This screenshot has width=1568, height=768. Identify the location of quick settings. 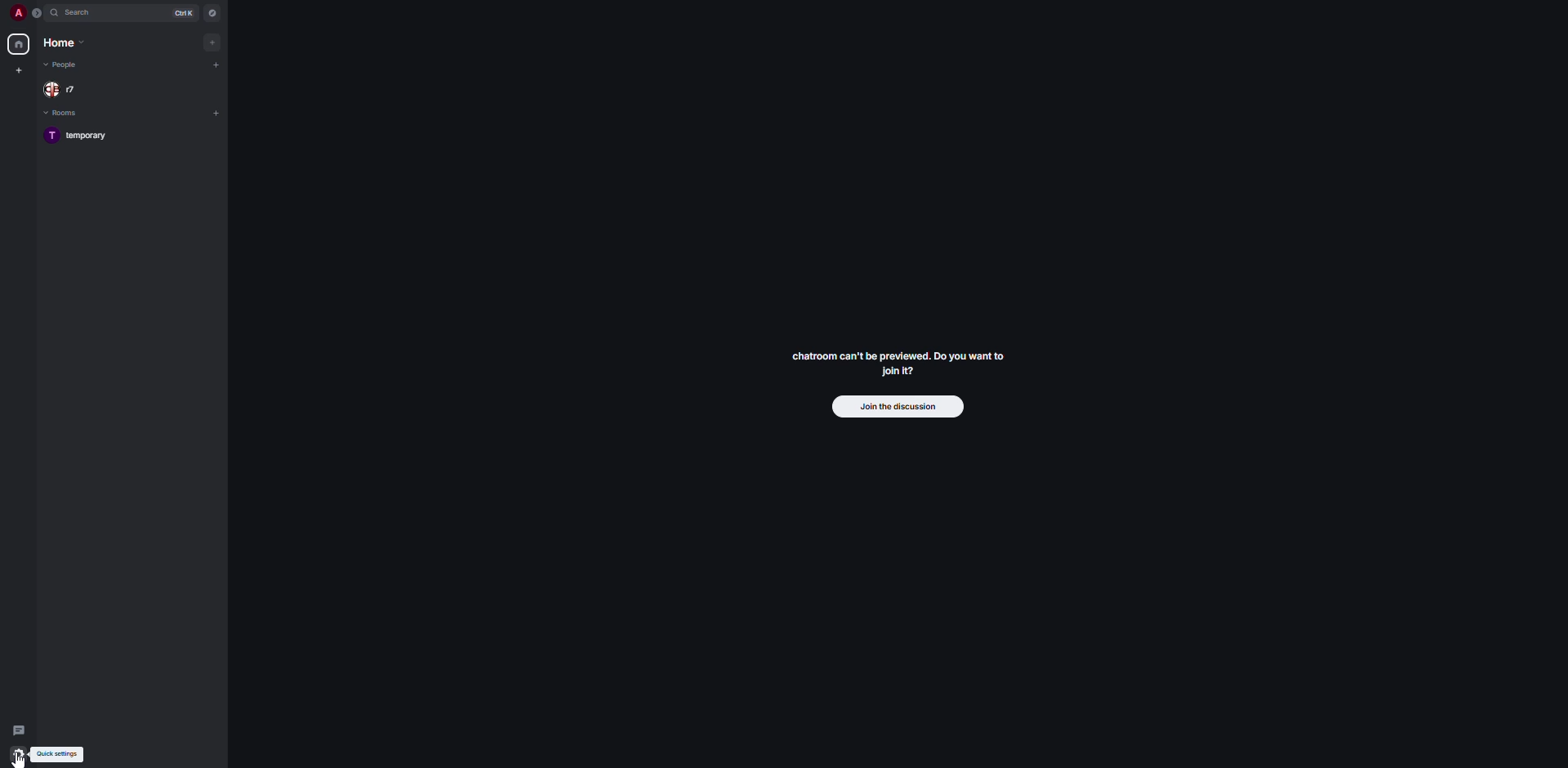
(18, 757).